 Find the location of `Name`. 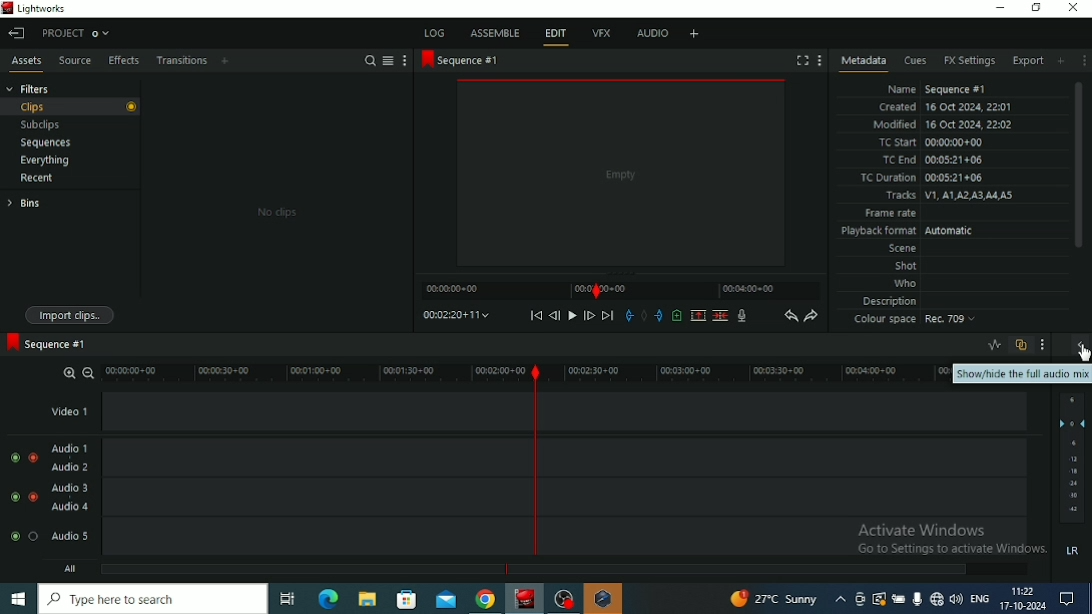

Name is located at coordinates (934, 87).